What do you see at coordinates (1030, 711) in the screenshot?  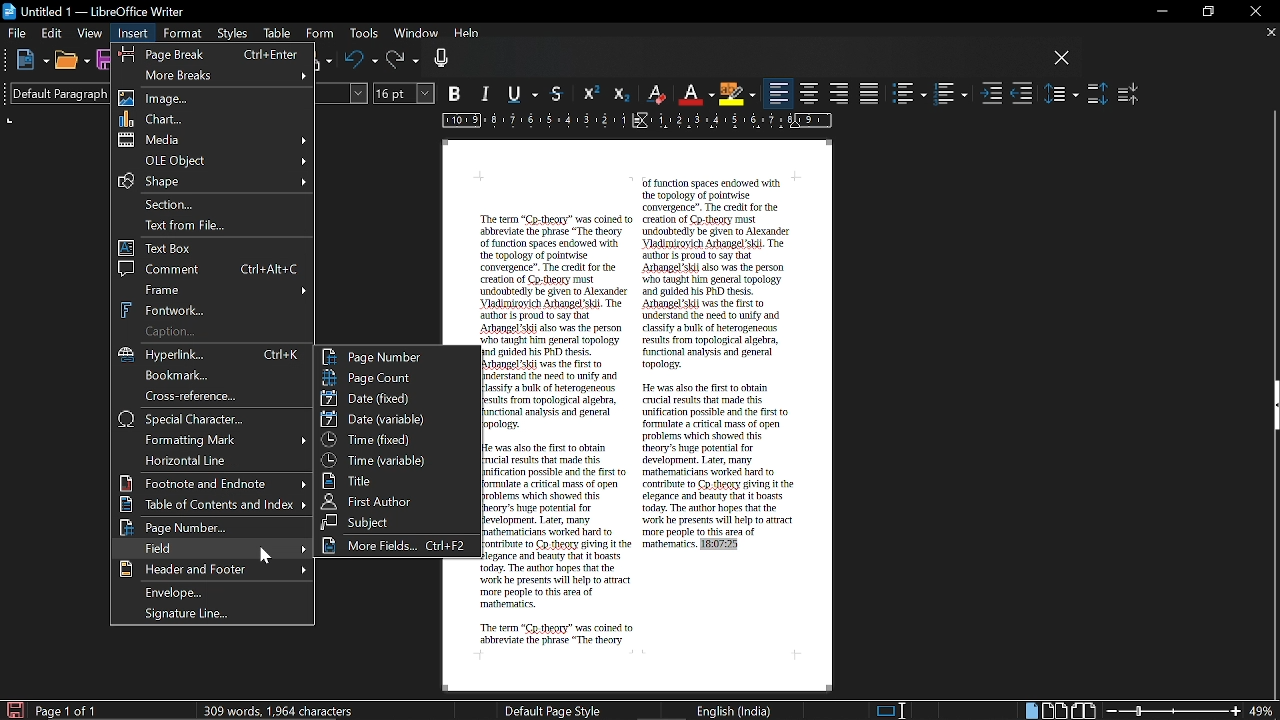 I see `Single page view` at bounding box center [1030, 711].